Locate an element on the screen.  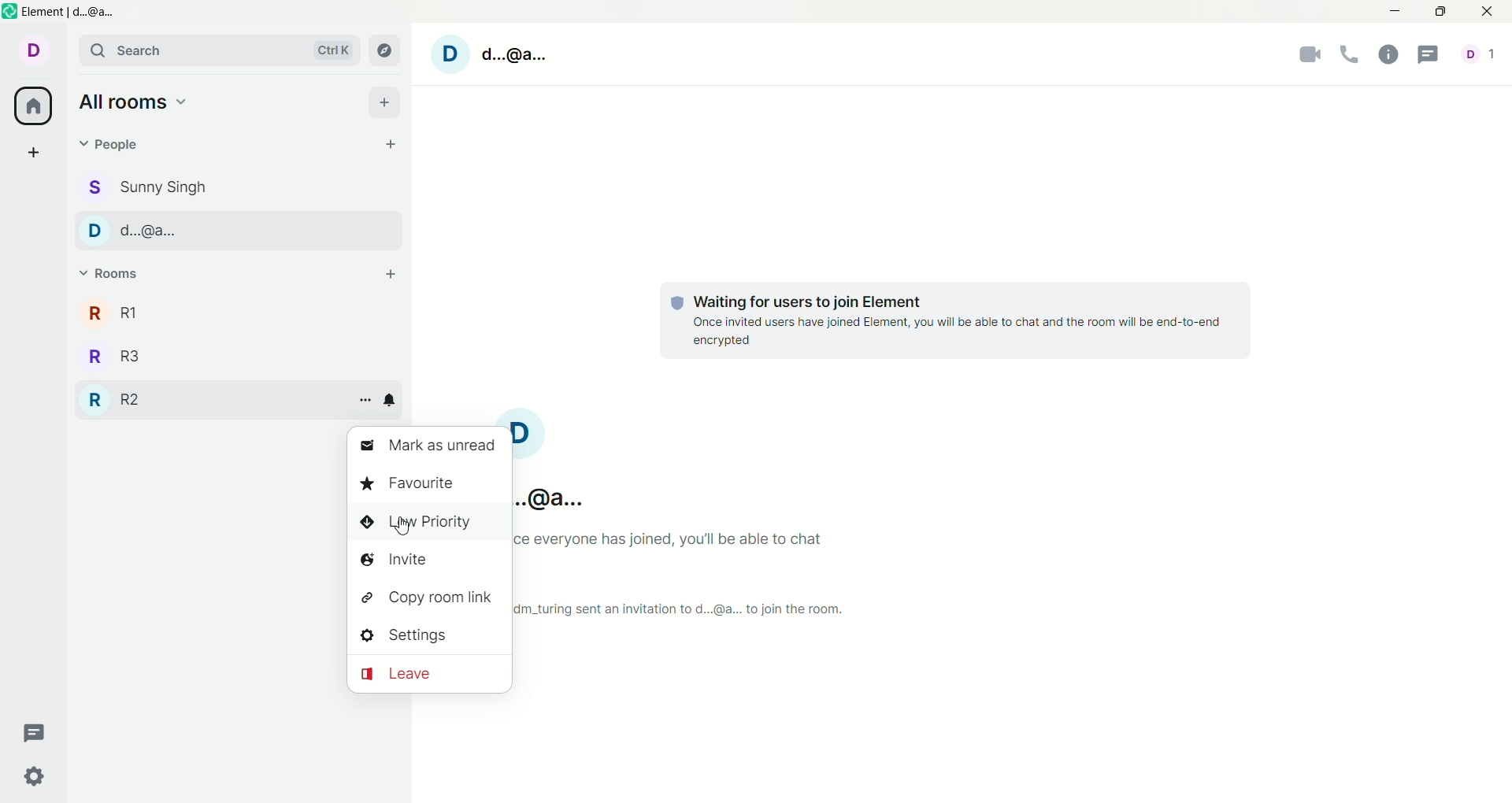
maximize is located at coordinates (1442, 13).